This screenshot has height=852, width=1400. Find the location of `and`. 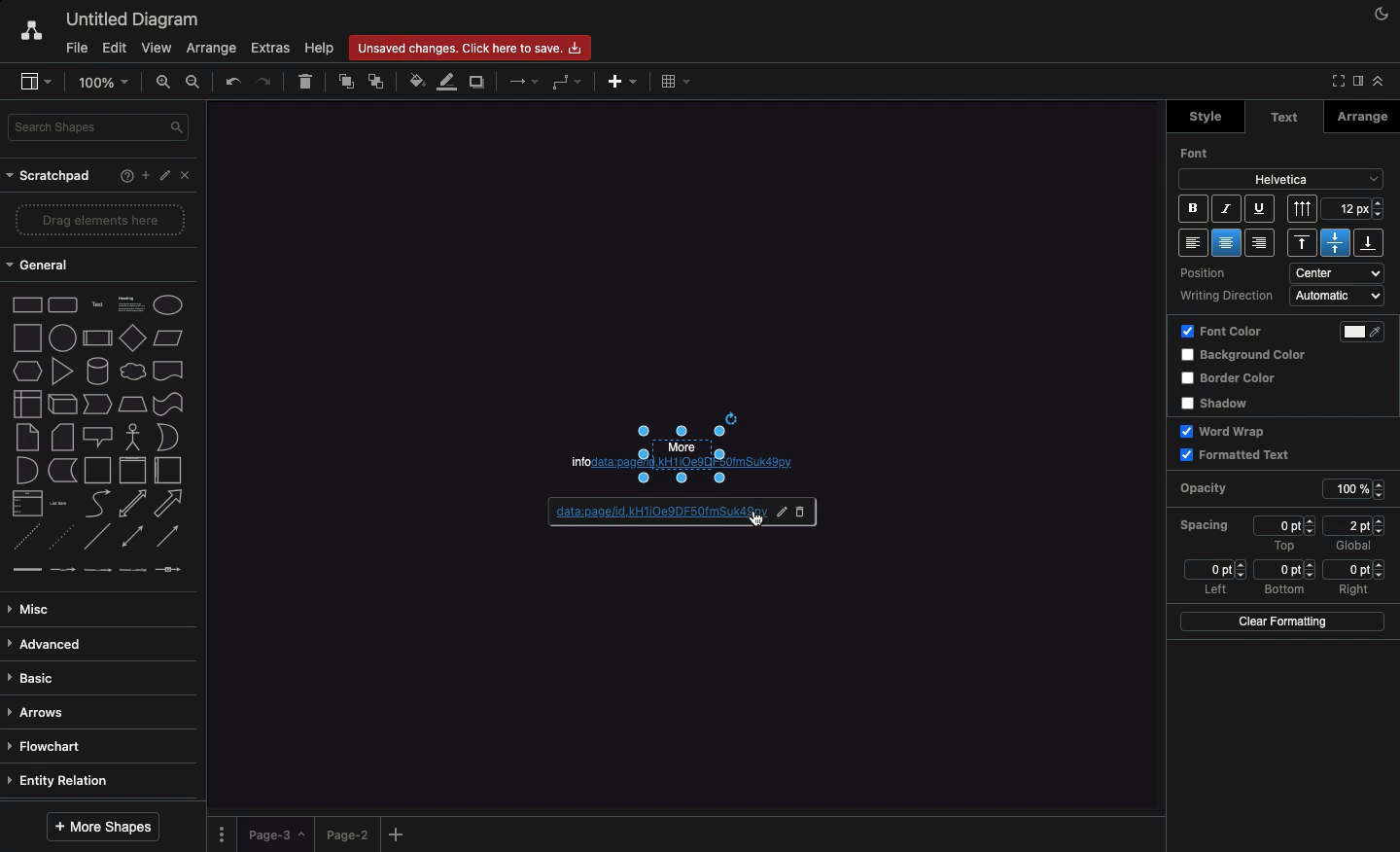

and is located at coordinates (28, 471).